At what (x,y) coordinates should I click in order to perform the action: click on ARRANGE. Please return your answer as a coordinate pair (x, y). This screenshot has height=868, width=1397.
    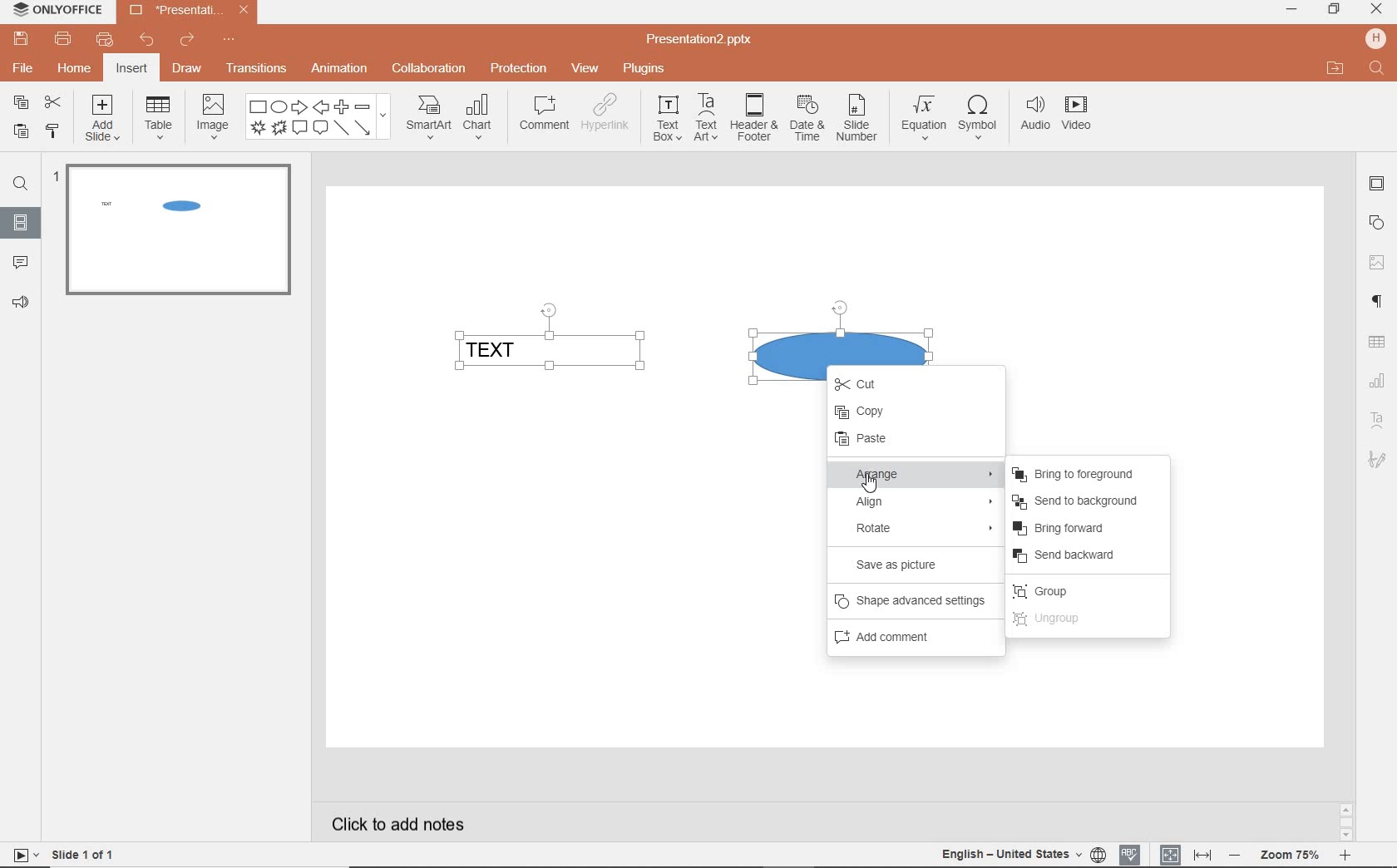
    Looking at the image, I should click on (914, 472).